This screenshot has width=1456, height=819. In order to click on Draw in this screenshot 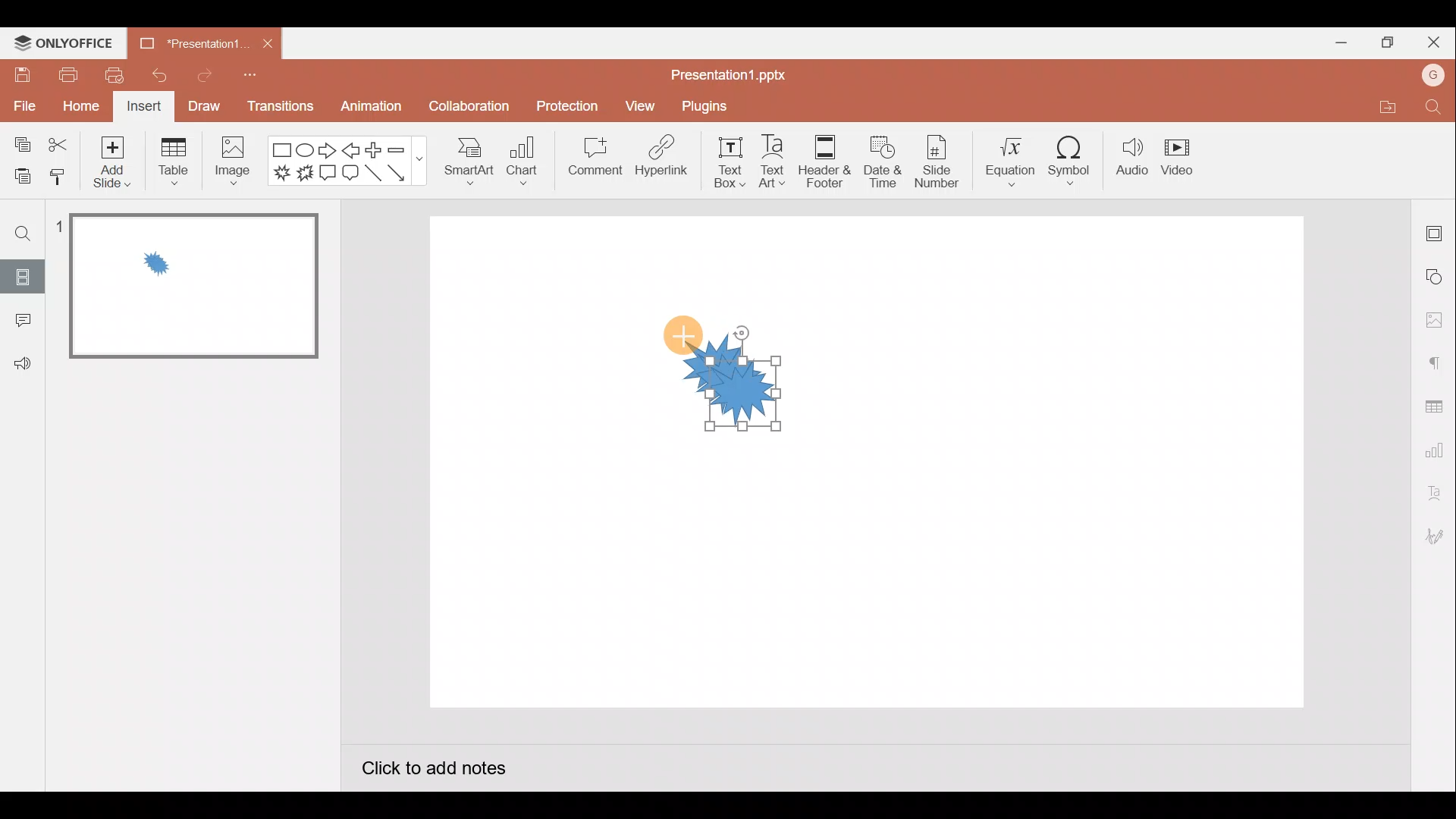, I will do `click(204, 108)`.